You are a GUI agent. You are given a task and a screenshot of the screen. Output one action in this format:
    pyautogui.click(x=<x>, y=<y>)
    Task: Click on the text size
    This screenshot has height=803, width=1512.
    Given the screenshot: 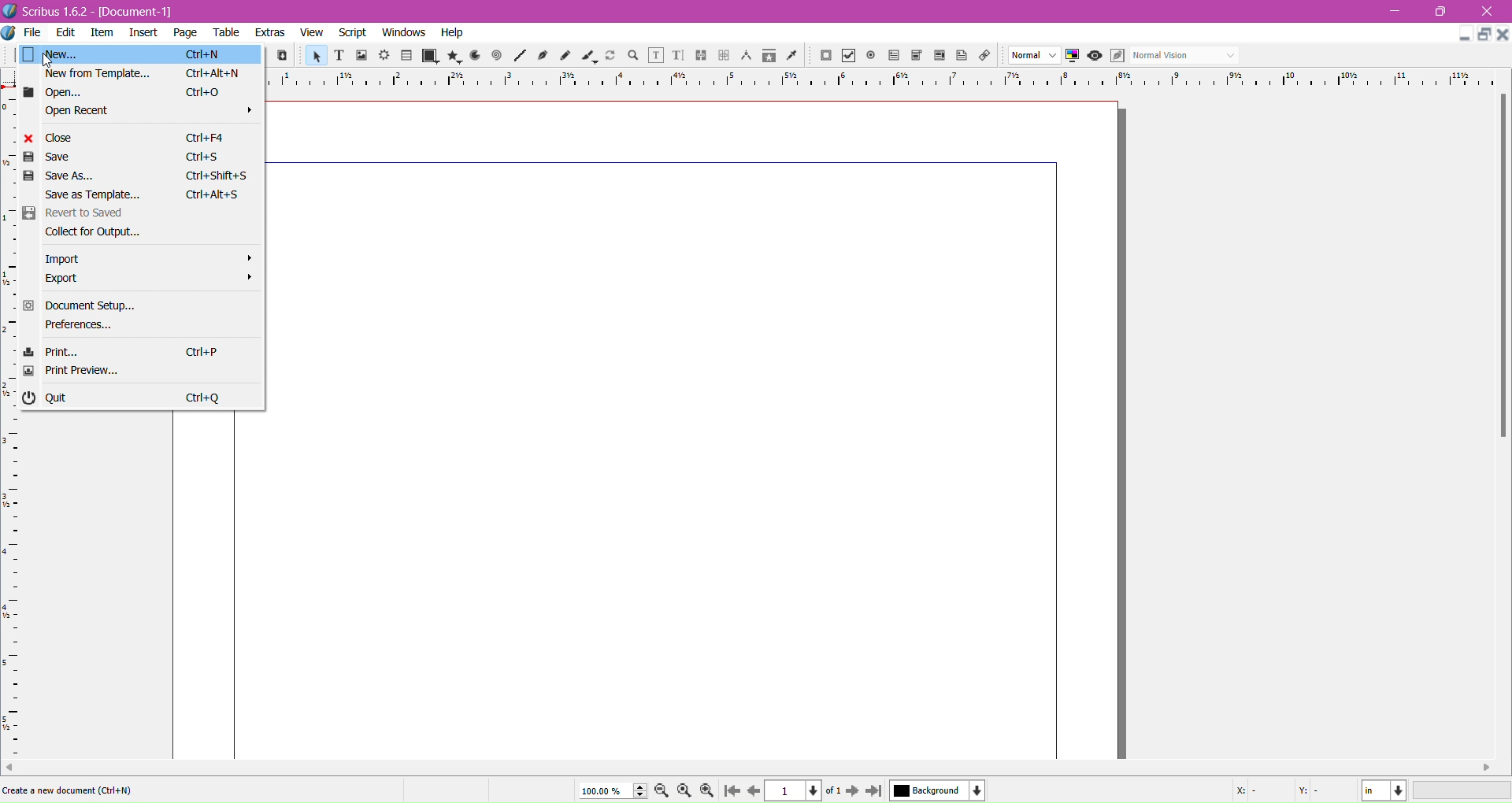 What is the action you would take?
    pyautogui.click(x=340, y=56)
    